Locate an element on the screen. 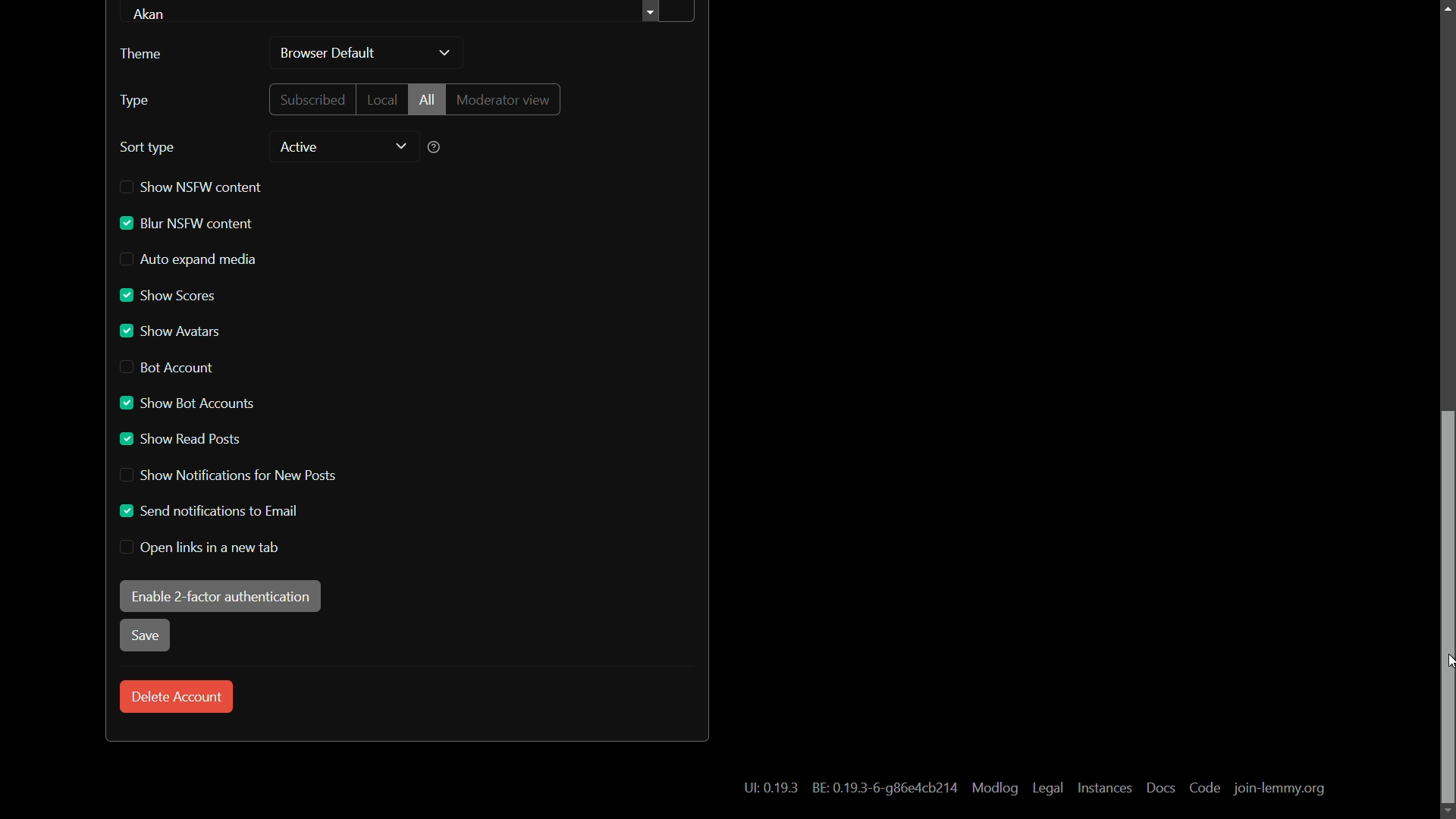 The image size is (1456, 819). text is located at coordinates (882, 787).